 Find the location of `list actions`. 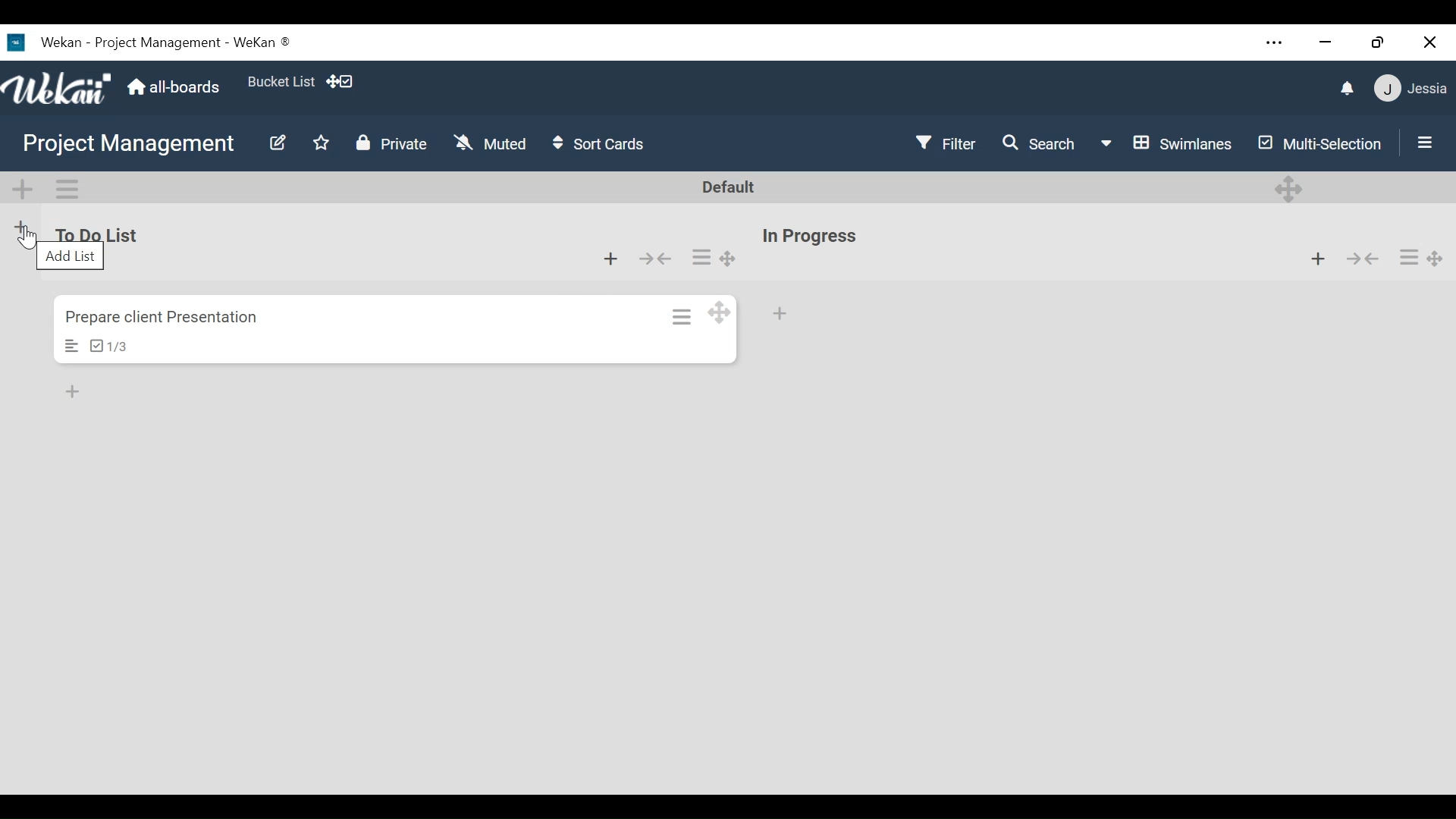

list actions is located at coordinates (1408, 257).